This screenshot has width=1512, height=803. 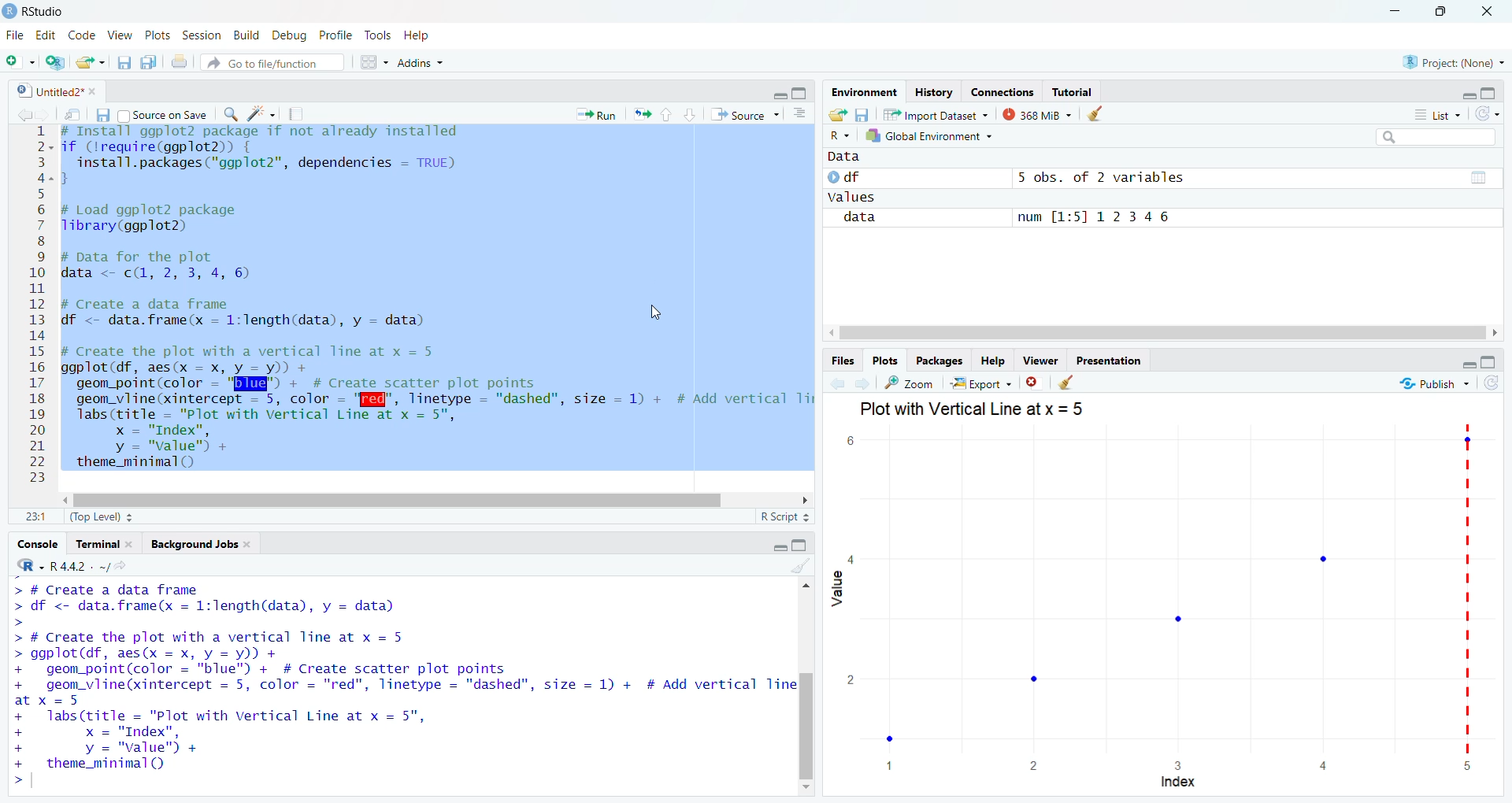 What do you see at coordinates (63, 565) in the screenshot?
I see `R442 . ~/` at bounding box center [63, 565].